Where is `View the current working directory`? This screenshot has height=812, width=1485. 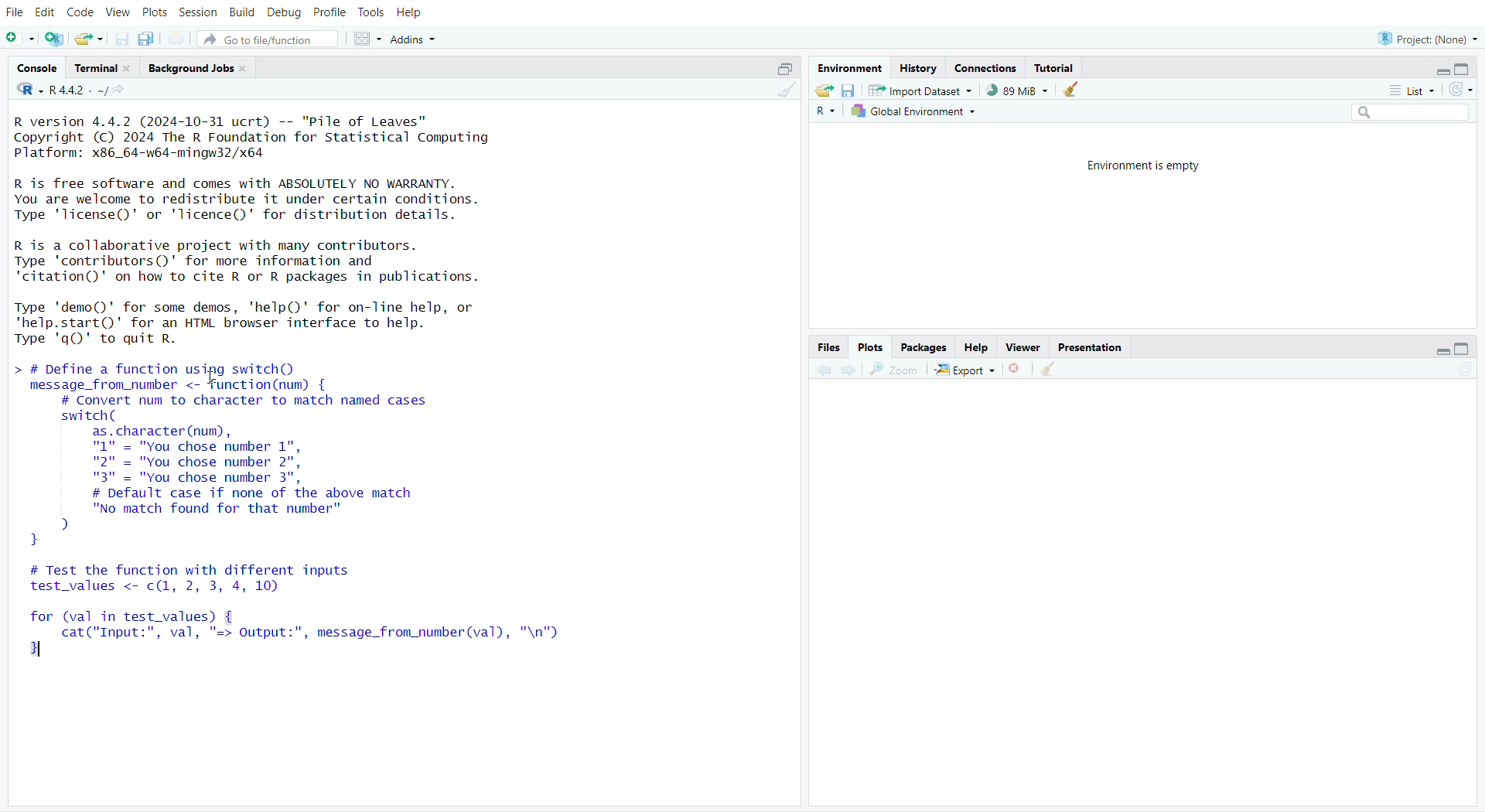 View the current working directory is located at coordinates (124, 92).